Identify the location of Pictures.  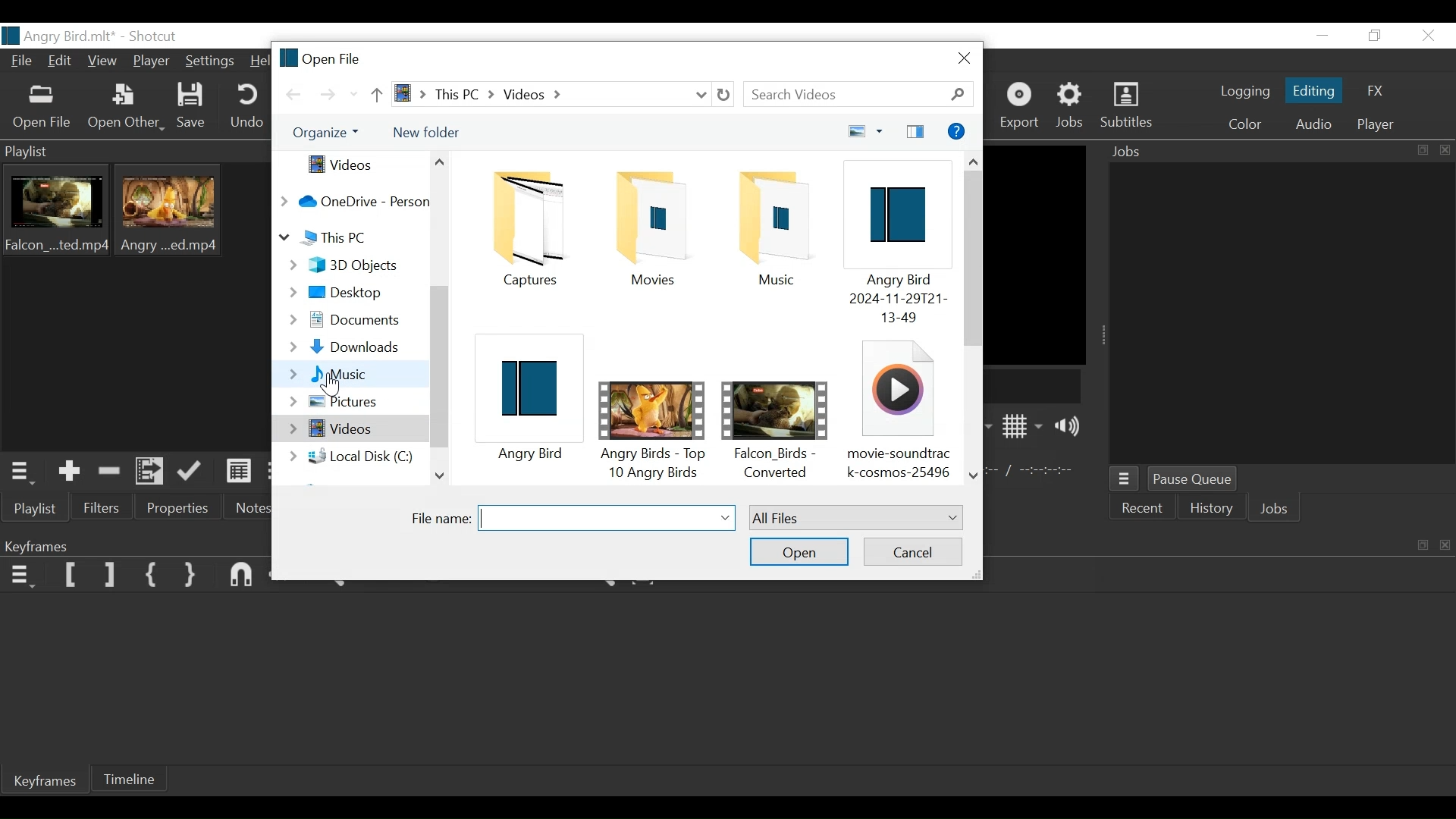
(350, 400).